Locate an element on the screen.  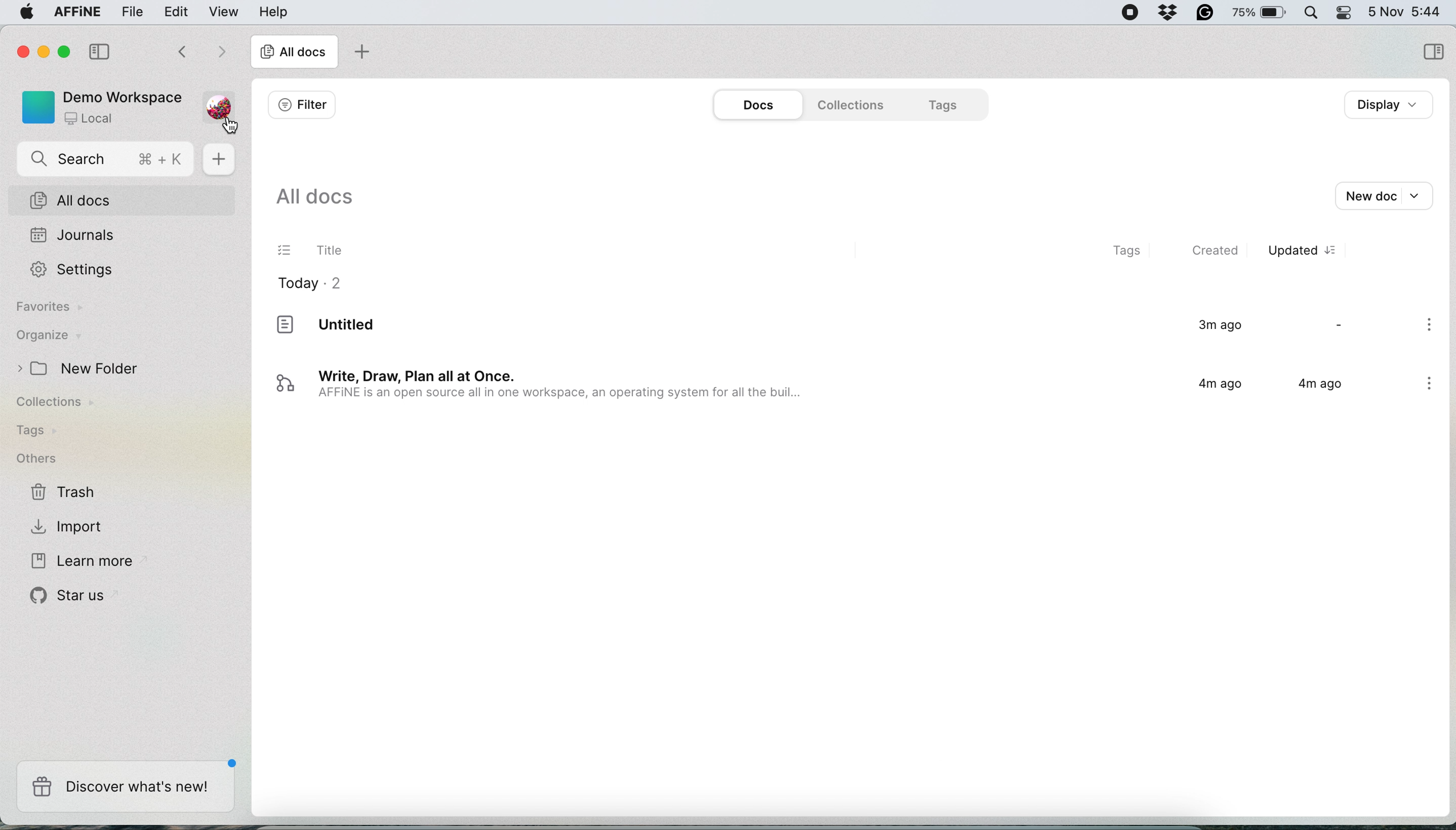
minimise is located at coordinates (46, 54).